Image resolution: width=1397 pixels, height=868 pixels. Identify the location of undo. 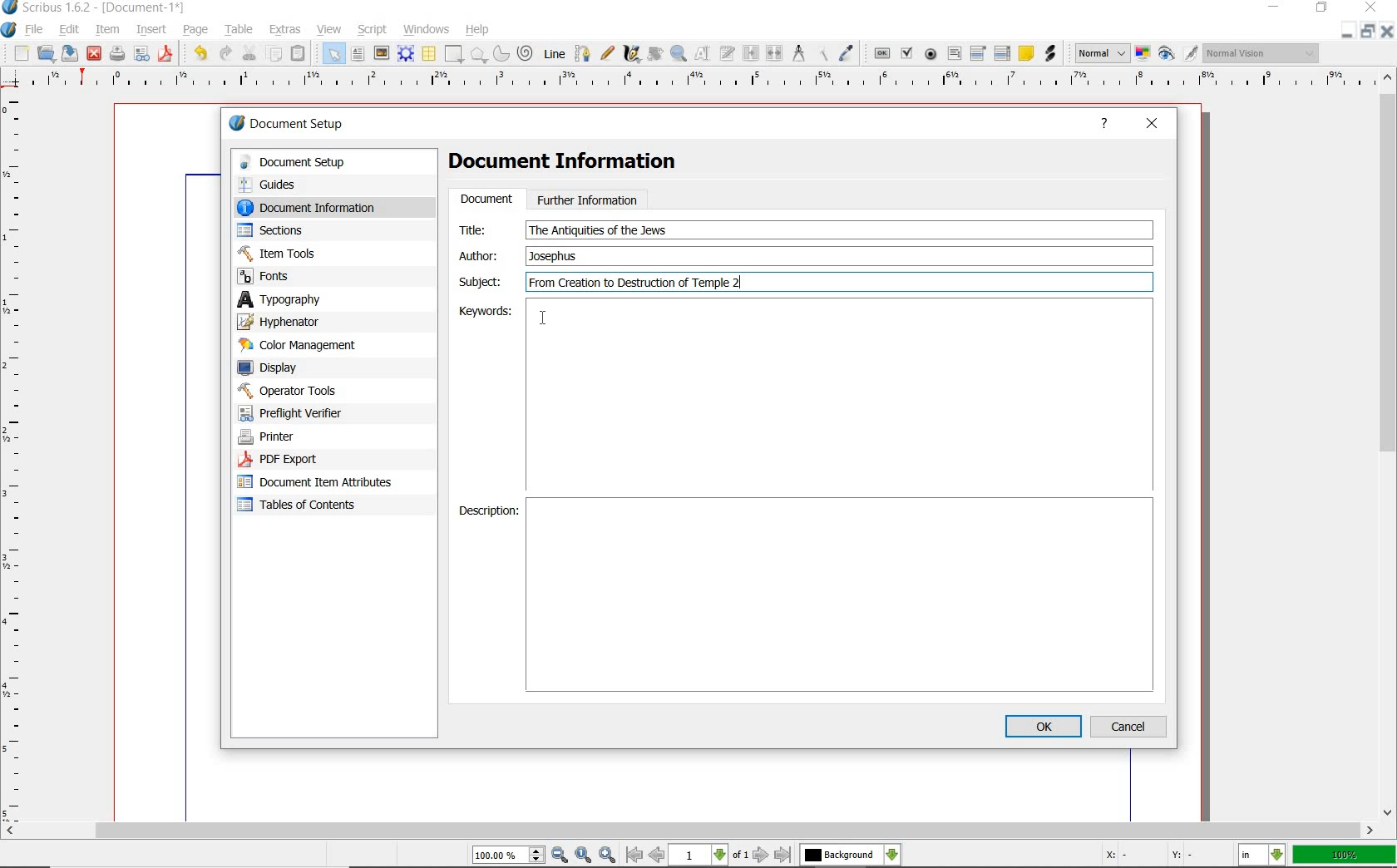
(200, 55).